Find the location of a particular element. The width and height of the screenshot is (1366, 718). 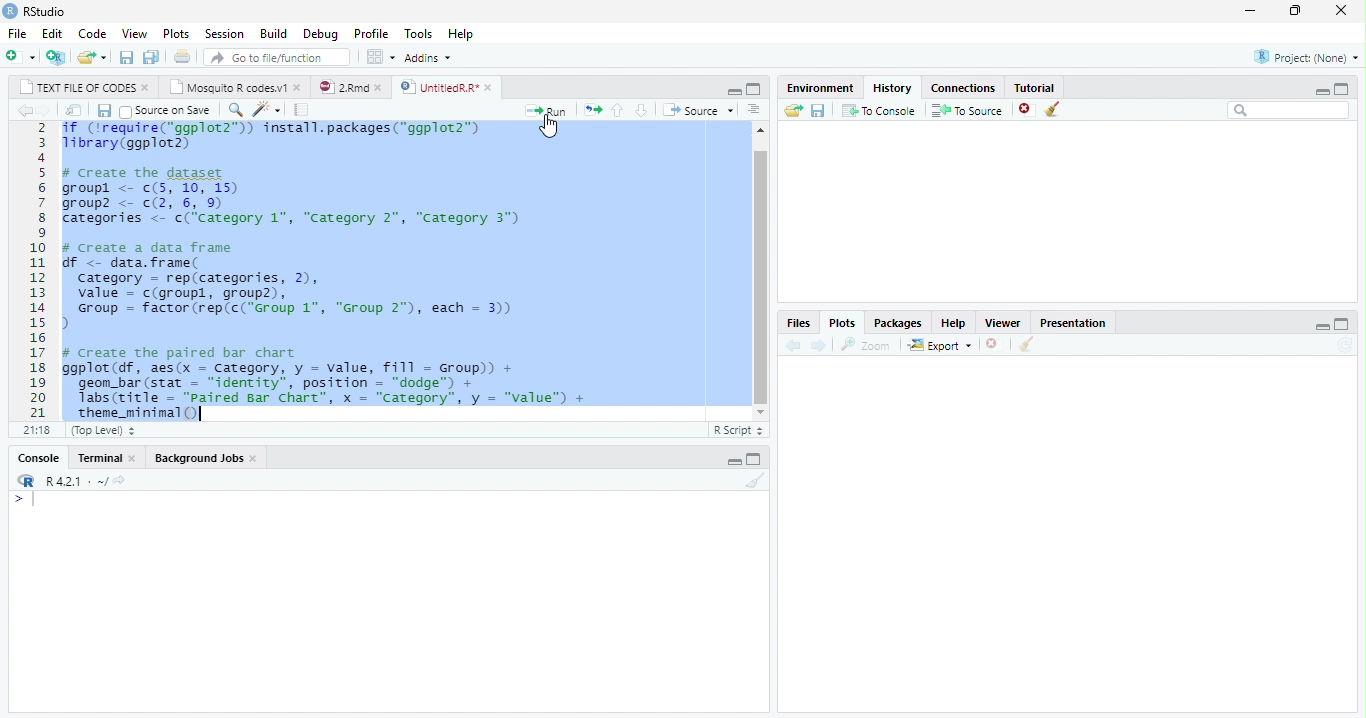

Re-run is located at coordinates (592, 110).